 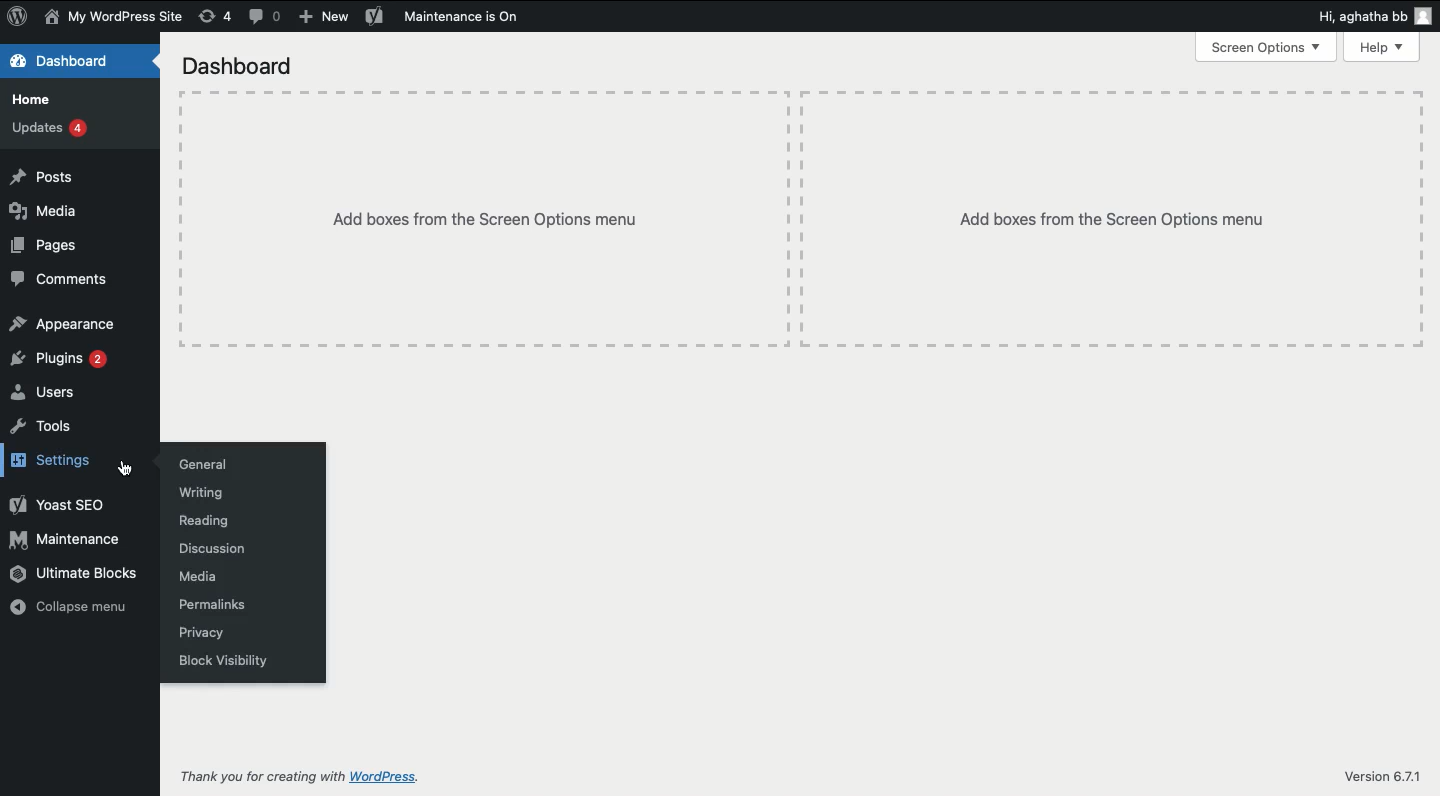 I want to click on dashboard, so click(x=241, y=67).